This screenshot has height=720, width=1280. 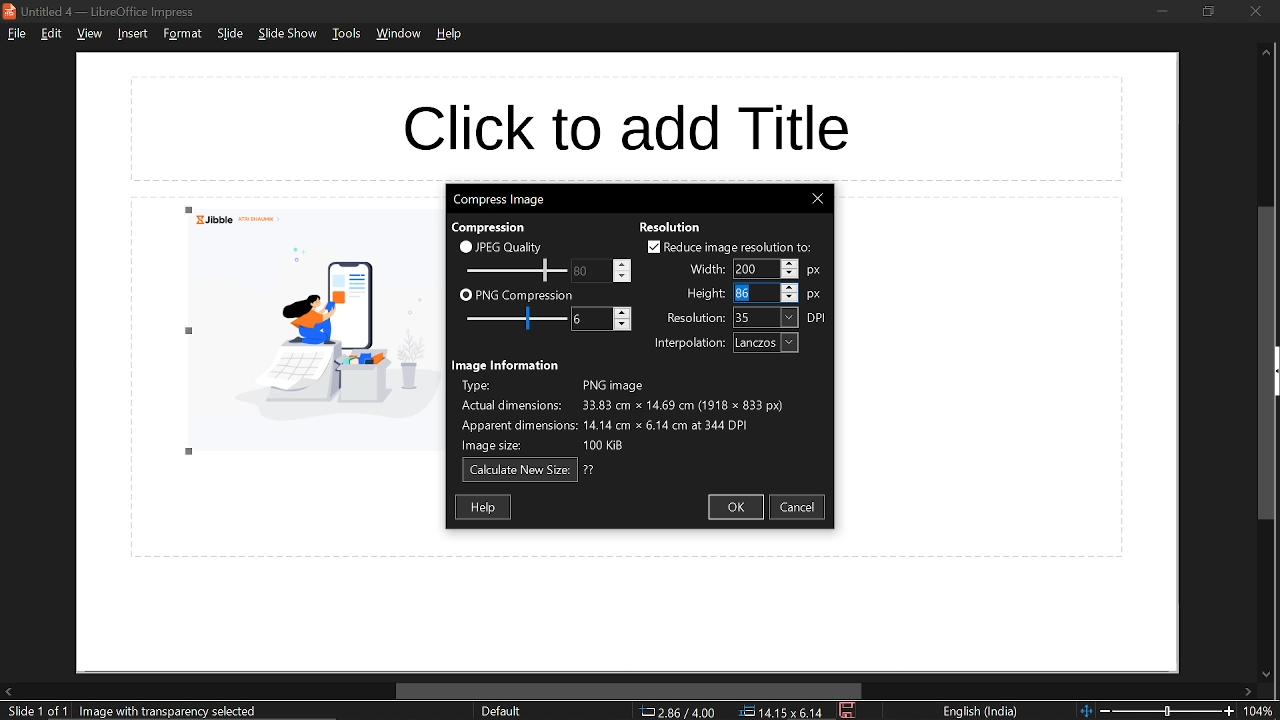 What do you see at coordinates (130, 33) in the screenshot?
I see `insert` at bounding box center [130, 33].